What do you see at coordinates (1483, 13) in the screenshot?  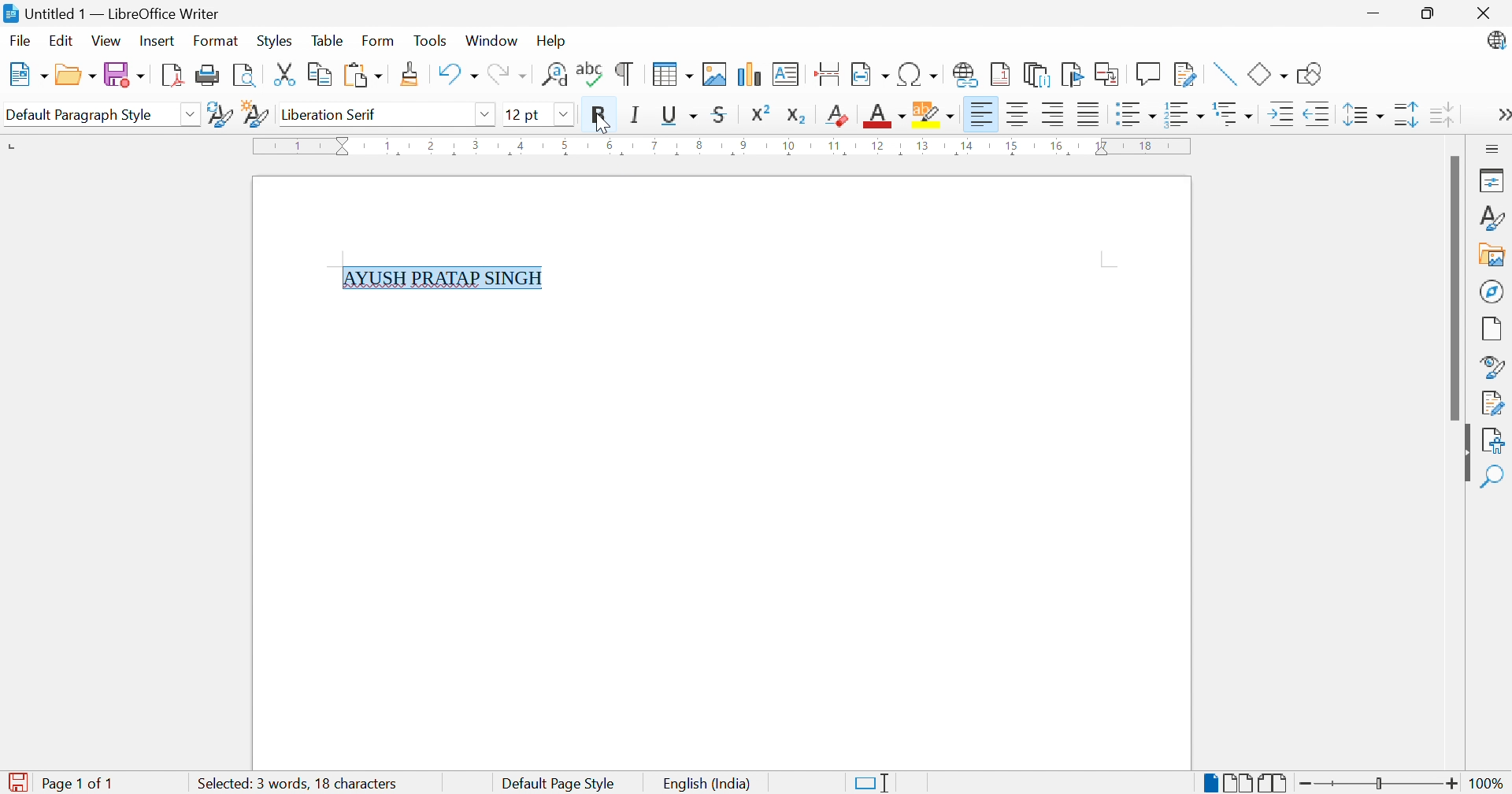 I see `Close` at bounding box center [1483, 13].